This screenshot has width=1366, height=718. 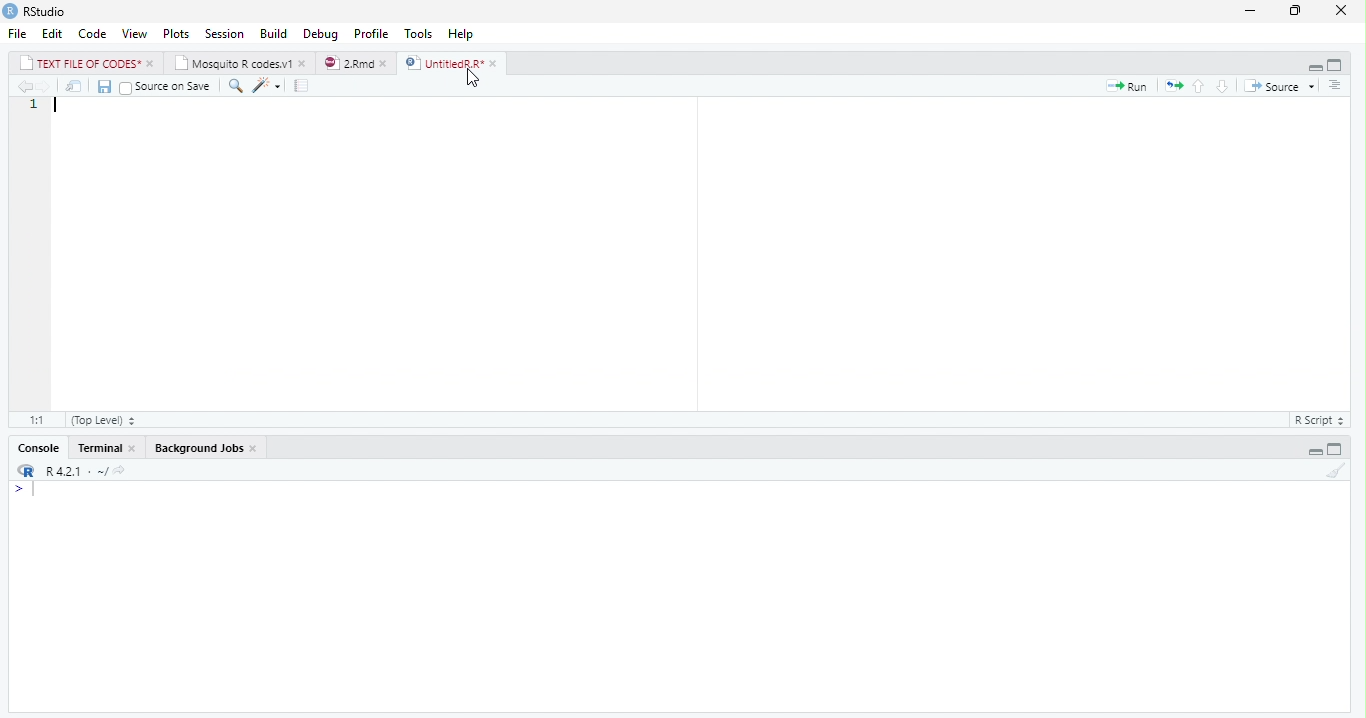 What do you see at coordinates (420, 34) in the screenshot?
I see `tools` at bounding box center [420, 34].